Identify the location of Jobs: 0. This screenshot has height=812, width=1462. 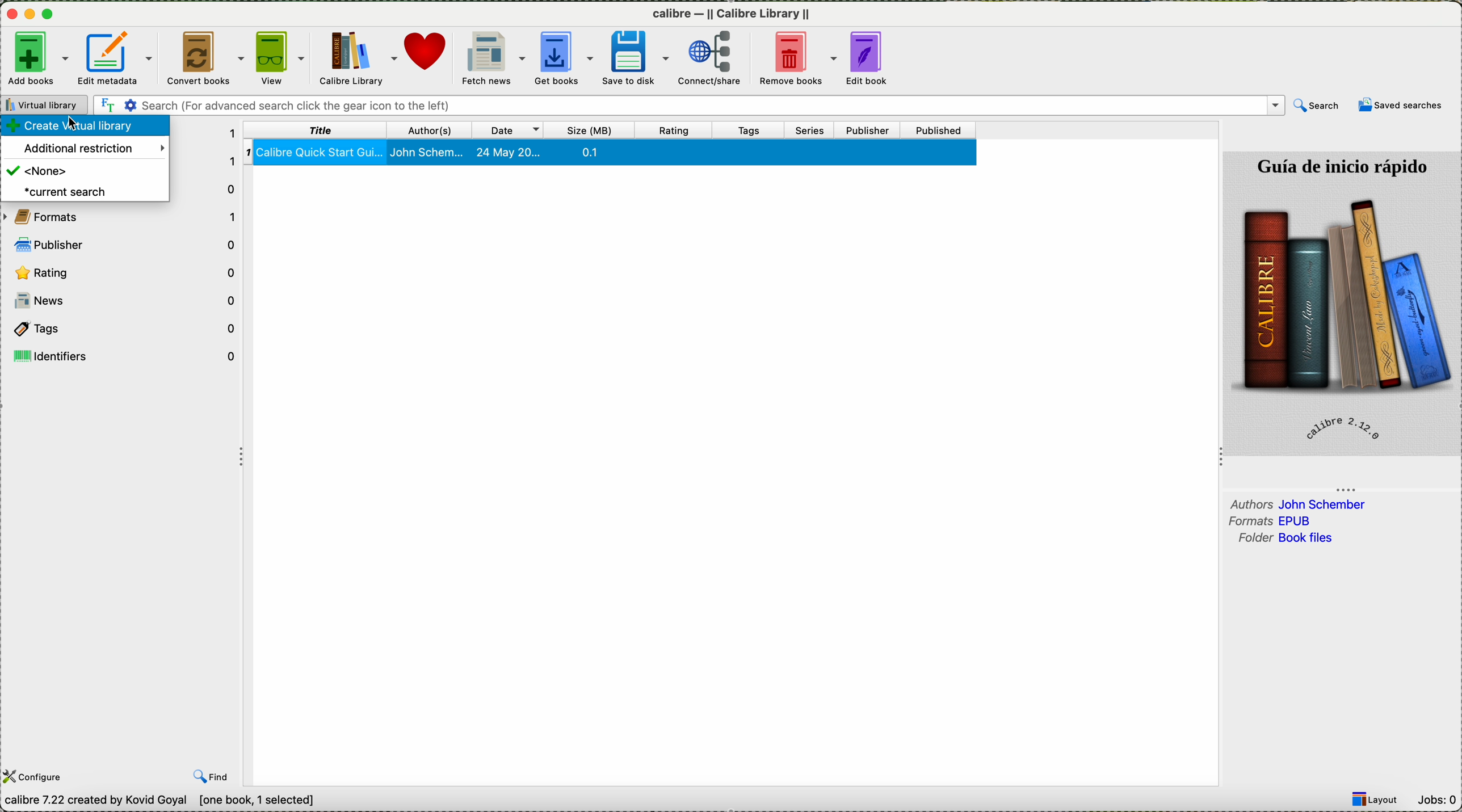
(1439, 800).